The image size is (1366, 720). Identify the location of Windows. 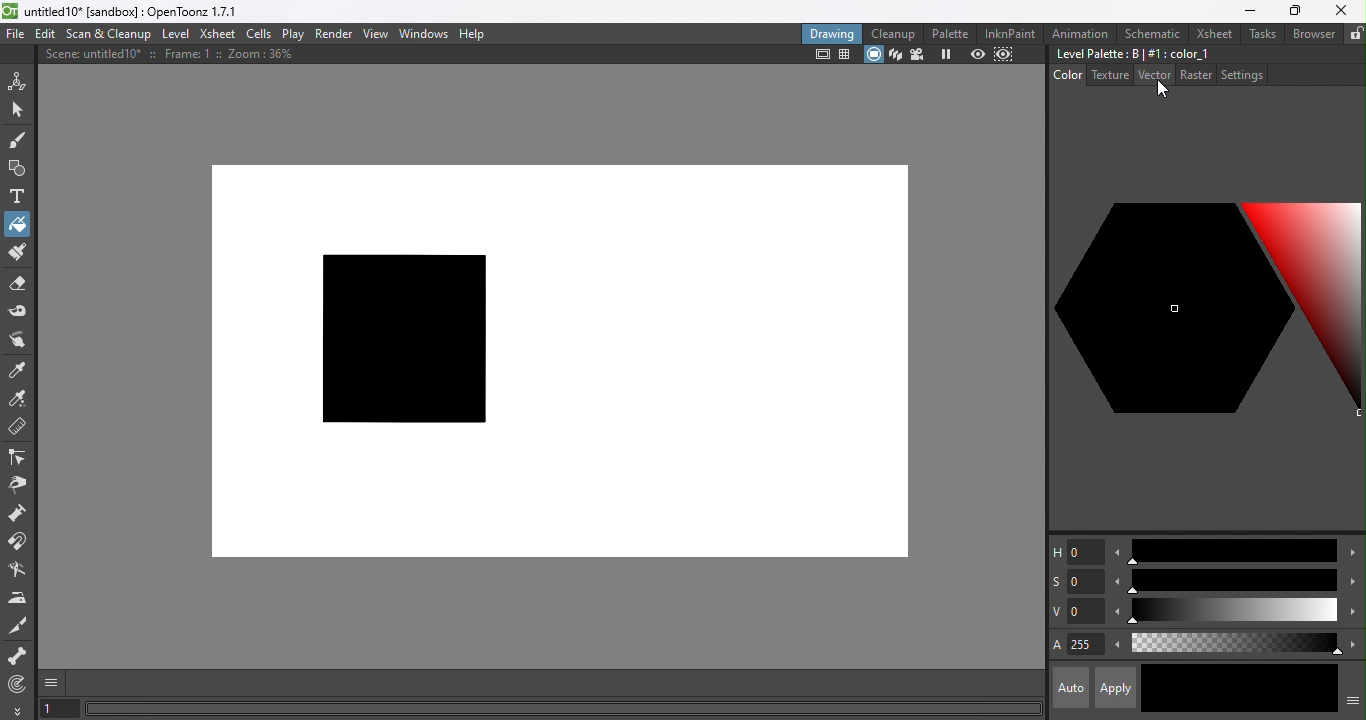
(424, 32).